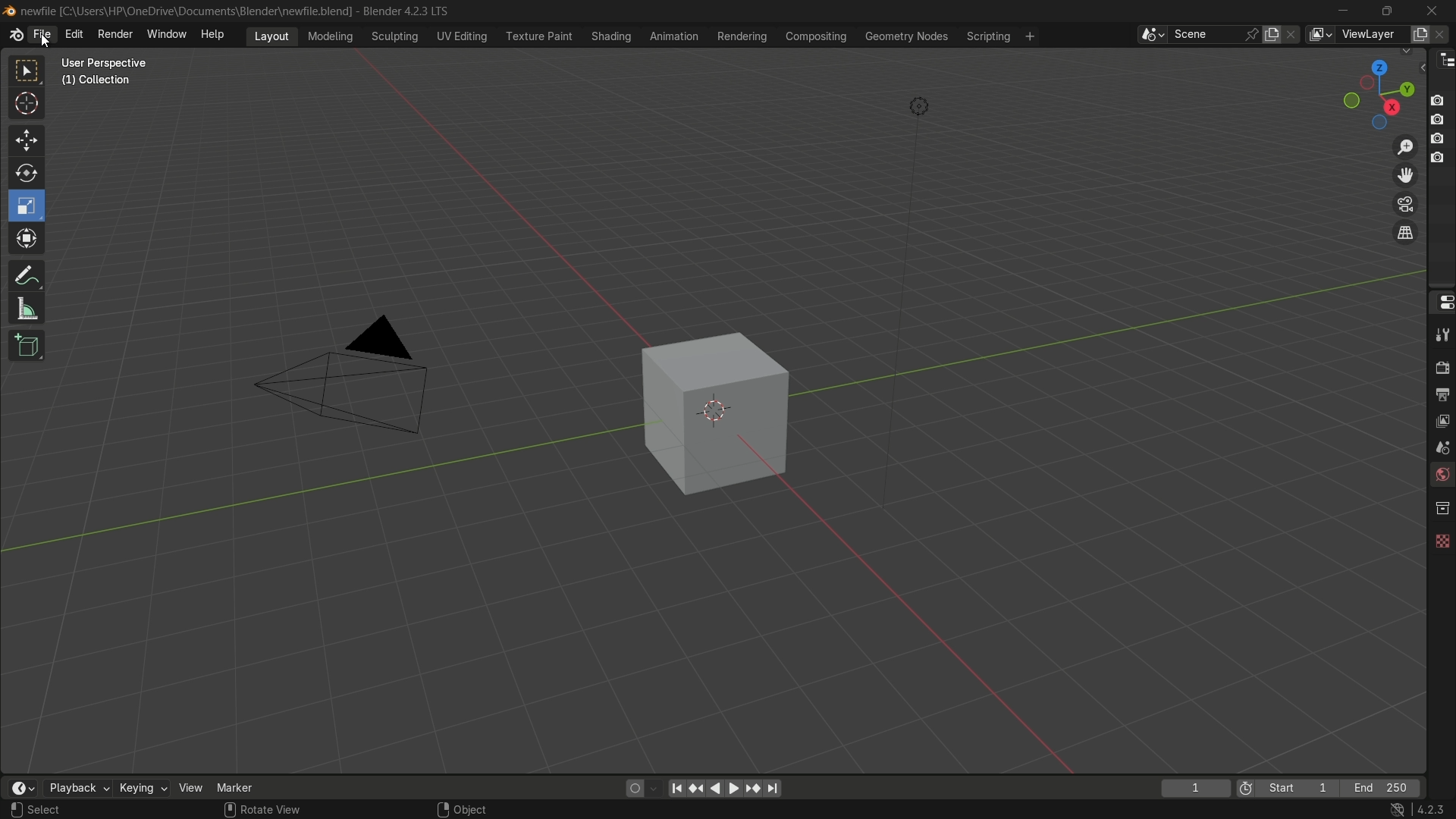 The height and width of the screenshot is (819, 1456). What do you see at coordinates (1443, 127) in the screenshot?
I see `Buttons` at bounding box center [1443, 127].